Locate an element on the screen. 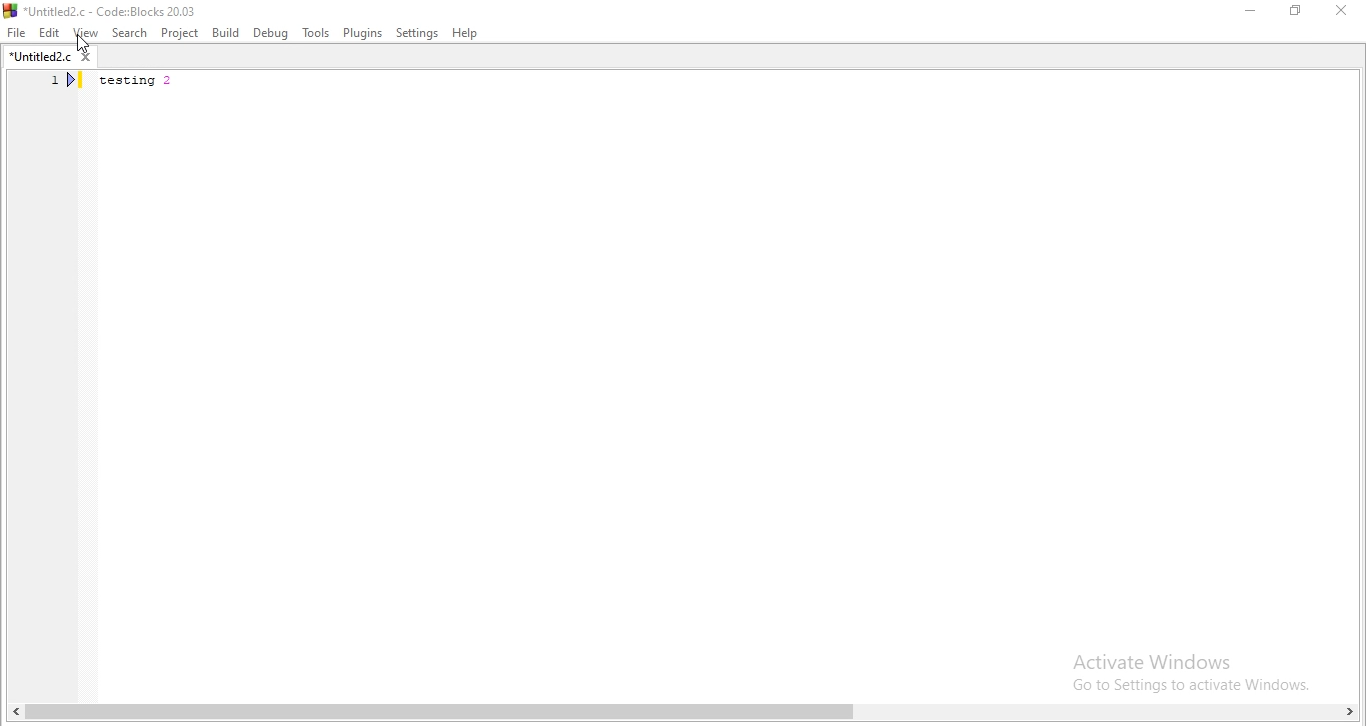 Image resolution: width=1366 pixels, height=726 pixels. View  is located at coordinates (81, 34).